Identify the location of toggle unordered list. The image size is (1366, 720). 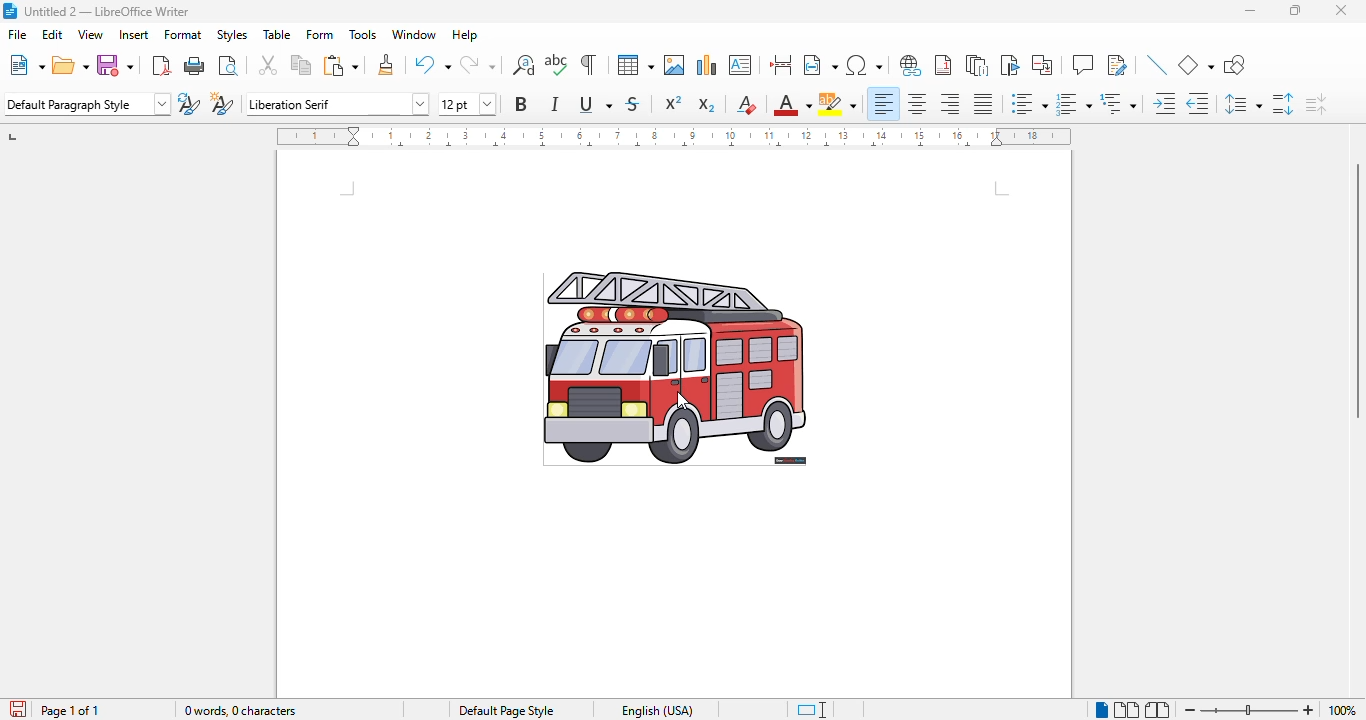
(1028, 104).